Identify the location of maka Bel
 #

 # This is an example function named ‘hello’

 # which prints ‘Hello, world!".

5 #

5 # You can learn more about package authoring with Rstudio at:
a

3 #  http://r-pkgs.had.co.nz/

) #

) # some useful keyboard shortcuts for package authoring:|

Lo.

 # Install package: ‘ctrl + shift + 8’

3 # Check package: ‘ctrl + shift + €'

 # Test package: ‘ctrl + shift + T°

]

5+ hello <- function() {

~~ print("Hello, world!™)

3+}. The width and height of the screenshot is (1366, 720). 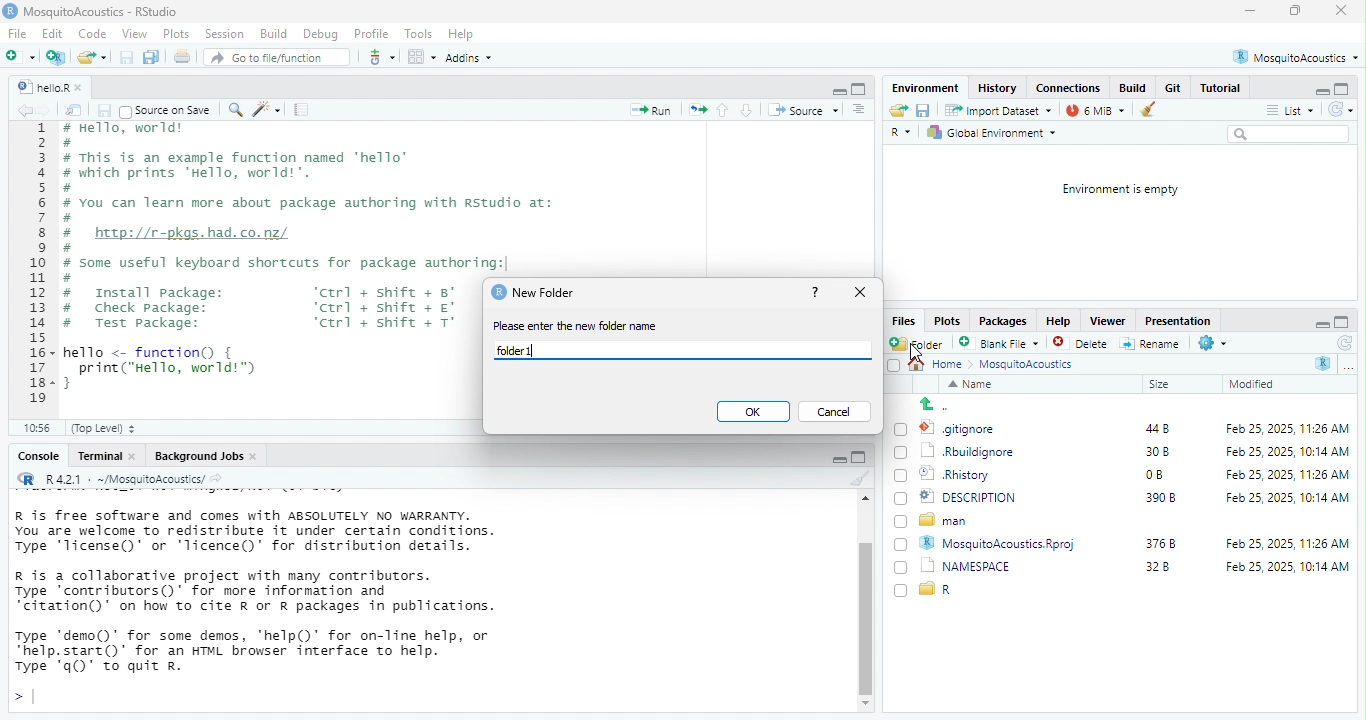
(268, 263).